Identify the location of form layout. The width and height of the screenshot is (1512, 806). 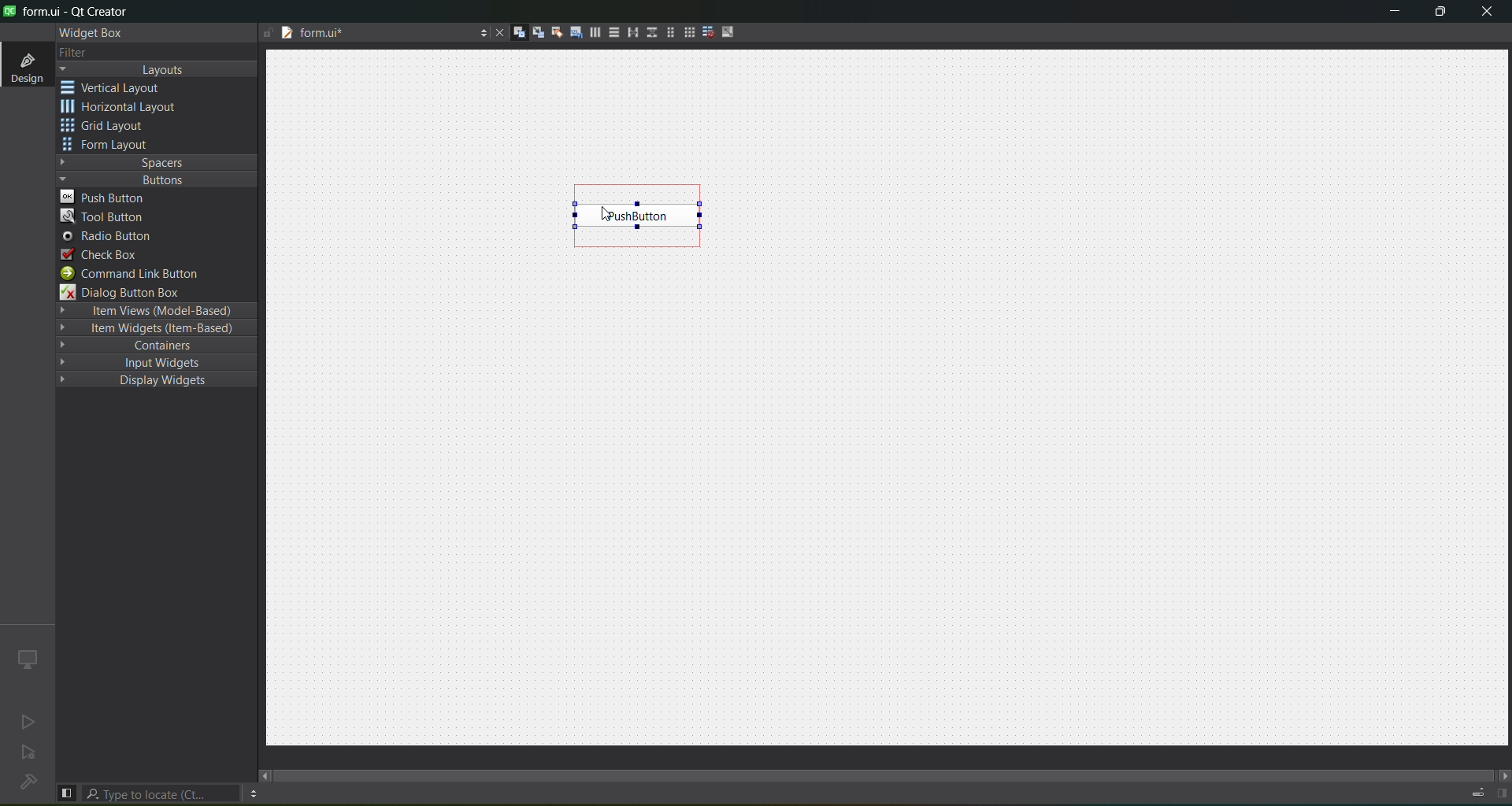
(667, 32).